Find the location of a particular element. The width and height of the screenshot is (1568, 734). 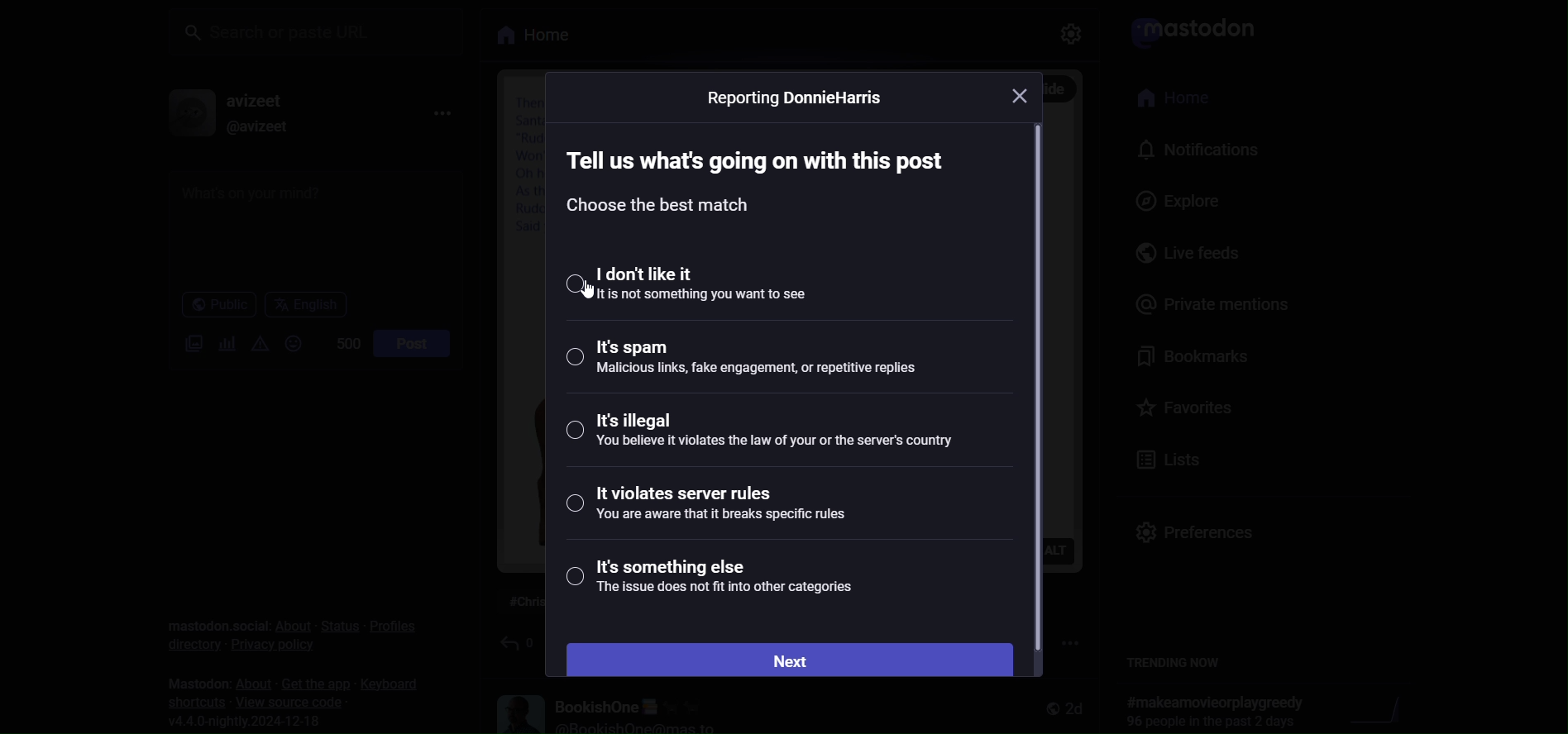

emoji is located at coordinates (291, 343).